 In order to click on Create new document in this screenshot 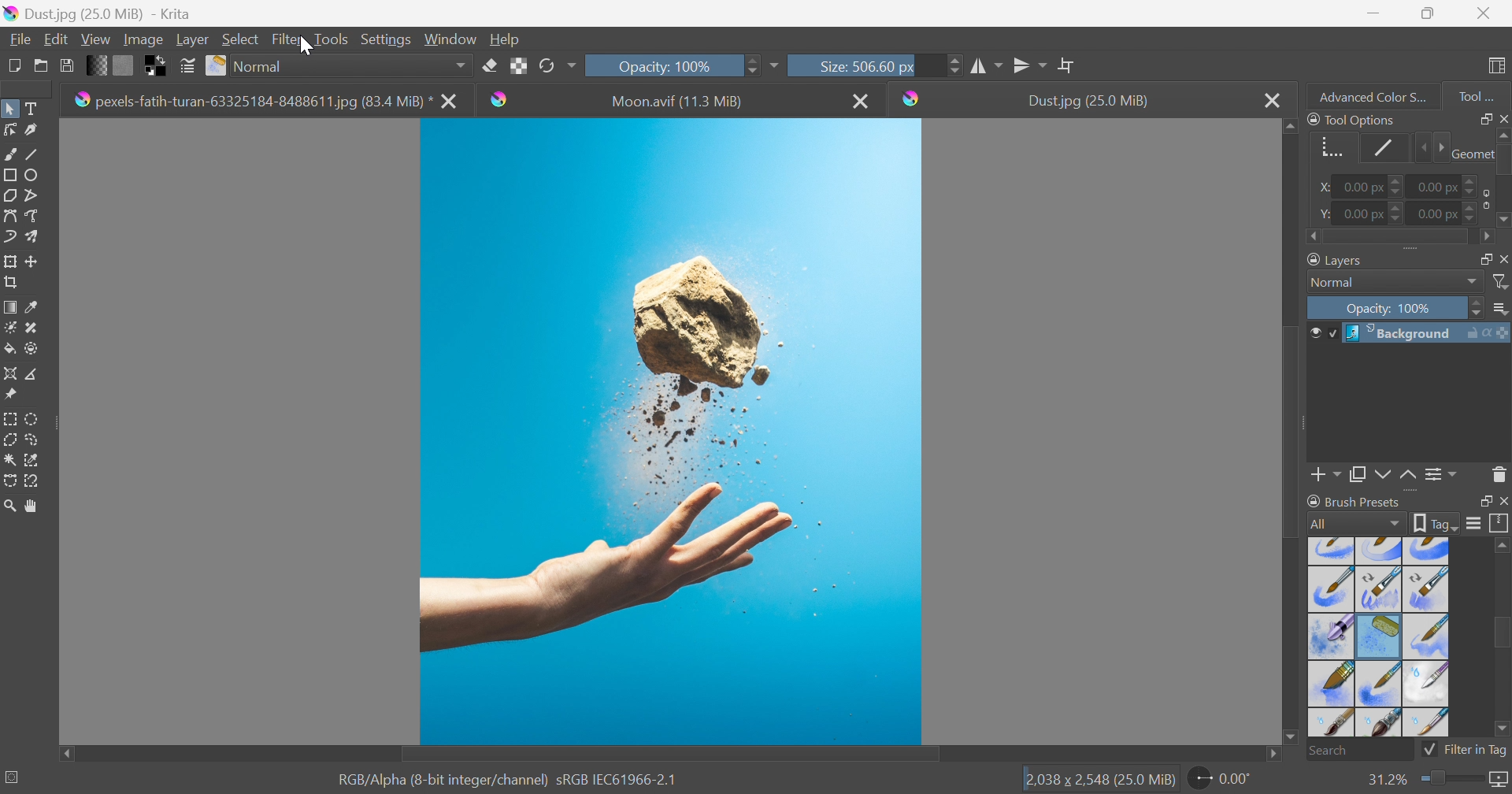, I will do `click(13, 65)`.